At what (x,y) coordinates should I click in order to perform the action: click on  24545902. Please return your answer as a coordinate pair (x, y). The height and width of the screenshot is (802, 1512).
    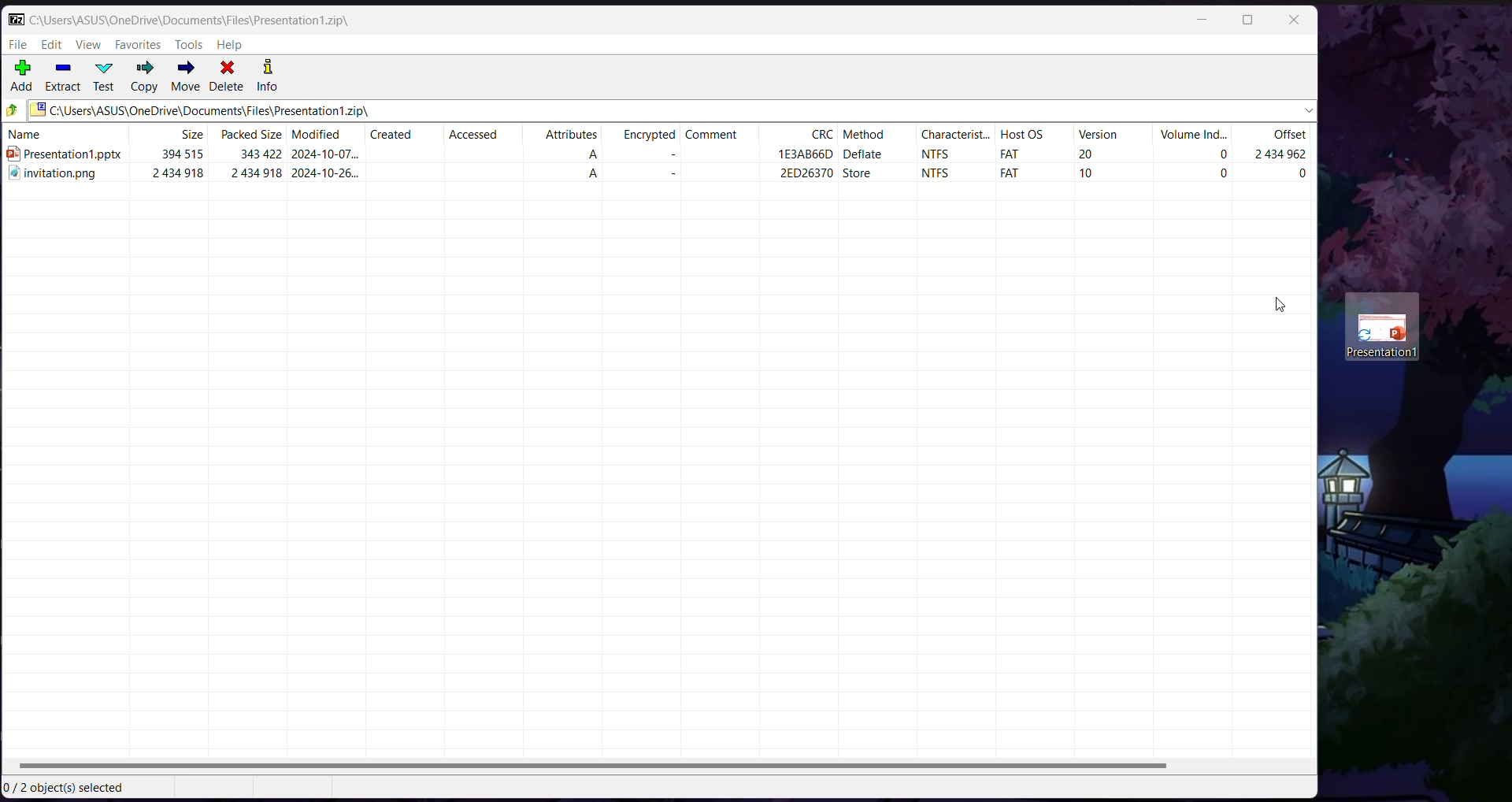
    Looking at the image, I should click on (1284, 155).